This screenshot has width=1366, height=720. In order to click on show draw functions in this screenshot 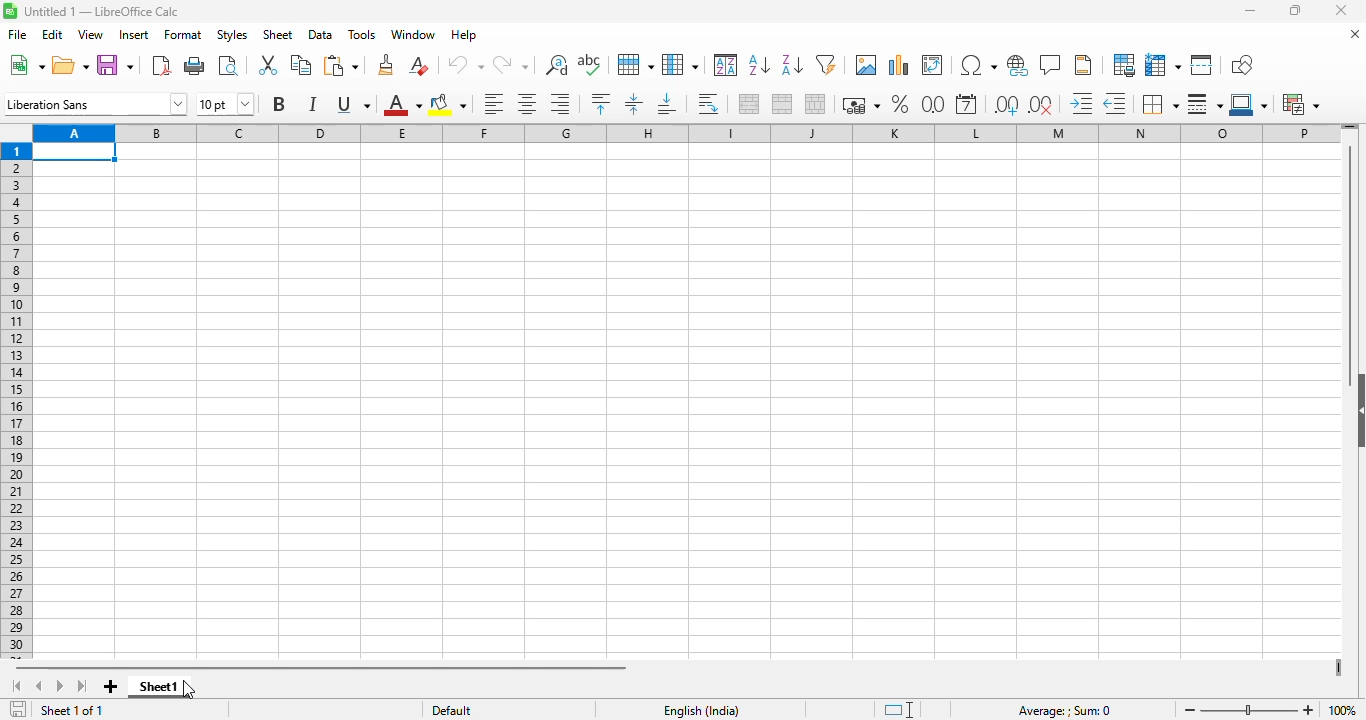, I will do `click(1242, 65)`.